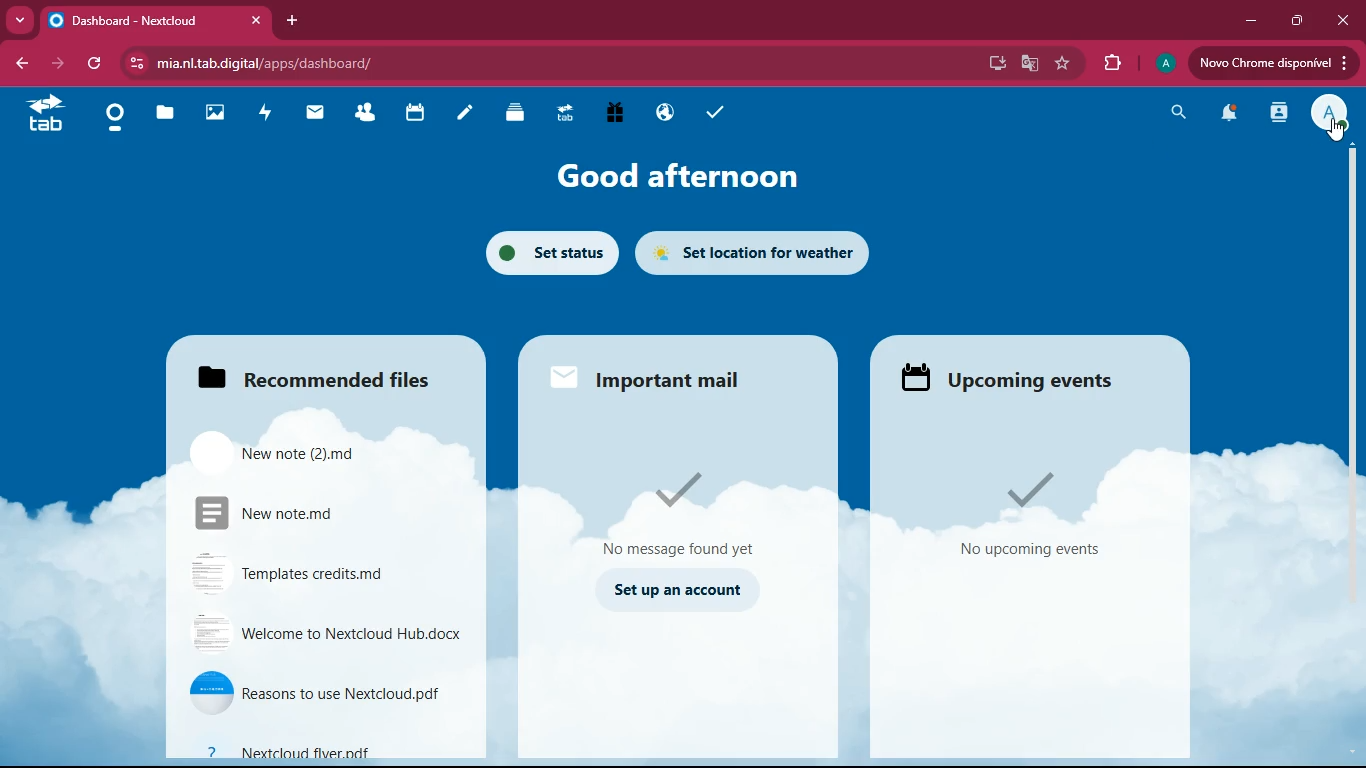  What do you see at coordinates (1165, 63) in the screenshot?
I see `profile` at bounding box center [1165, 63].